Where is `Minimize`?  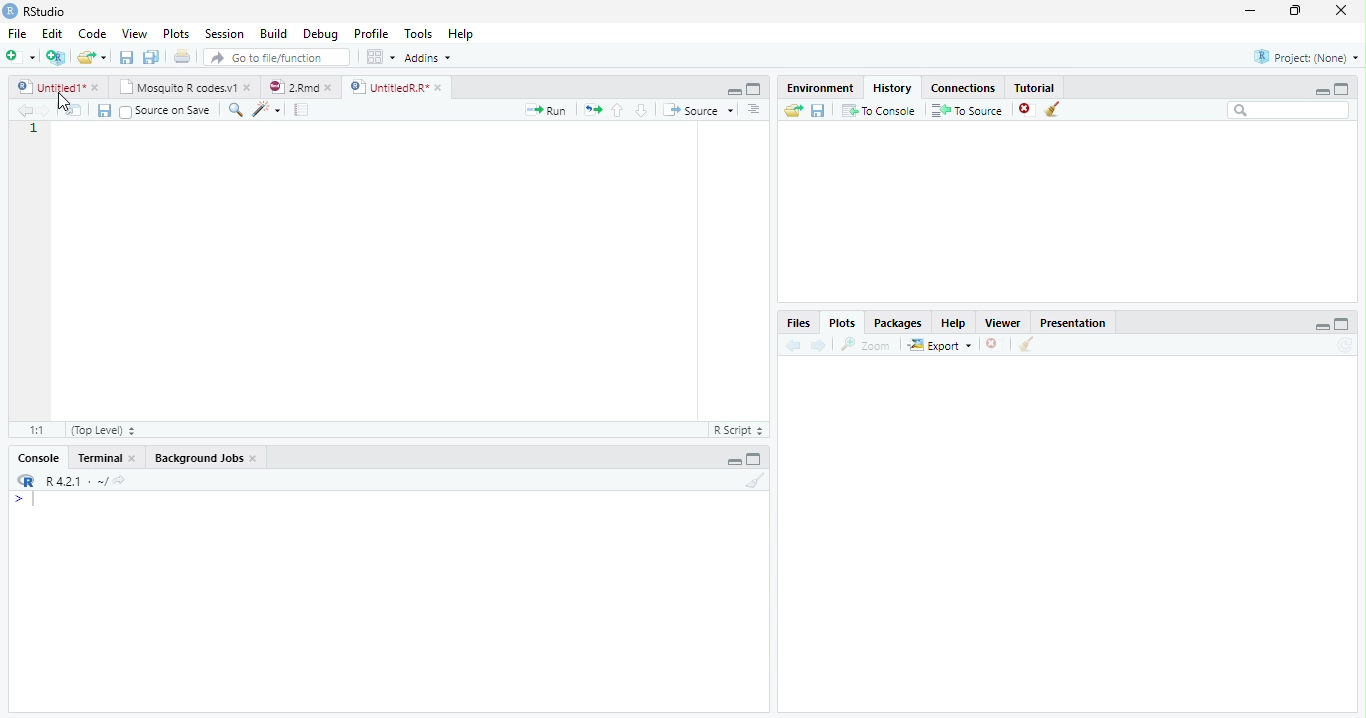 Minimize is located at coordinates (1321, 326).